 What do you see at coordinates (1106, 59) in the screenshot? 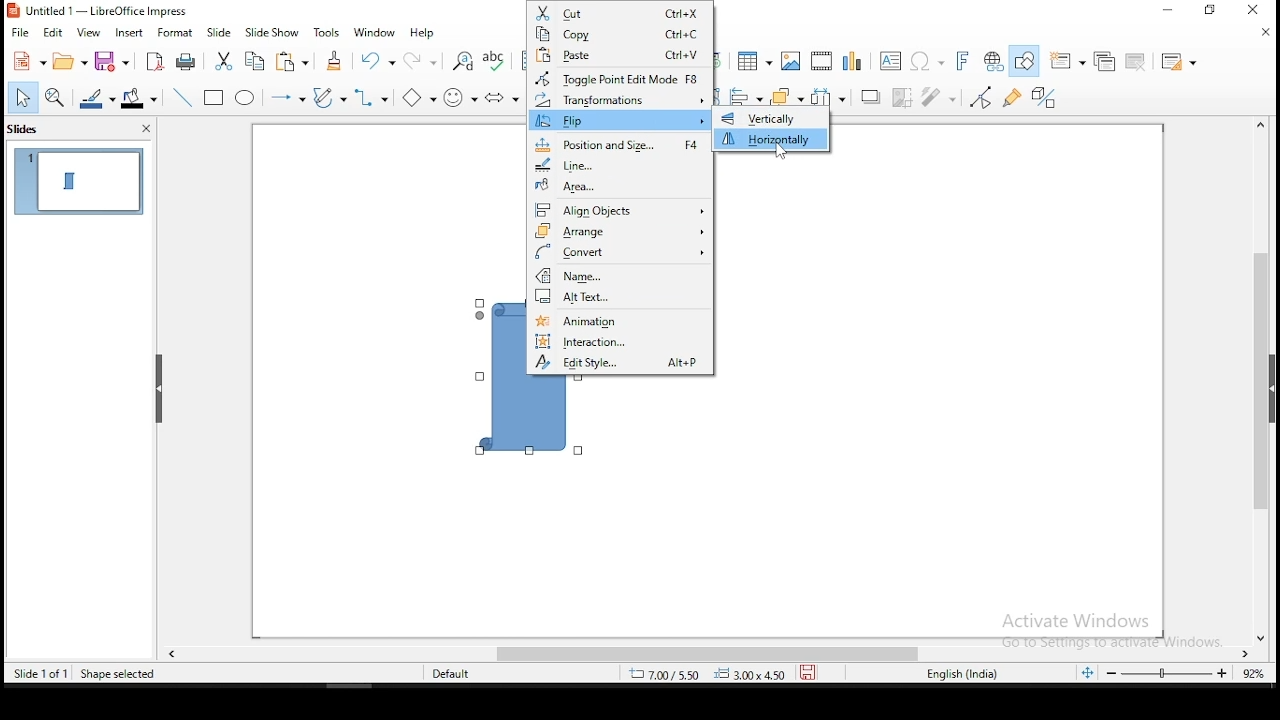
I see `duplicate slide` at bounding box center [1106, 59].